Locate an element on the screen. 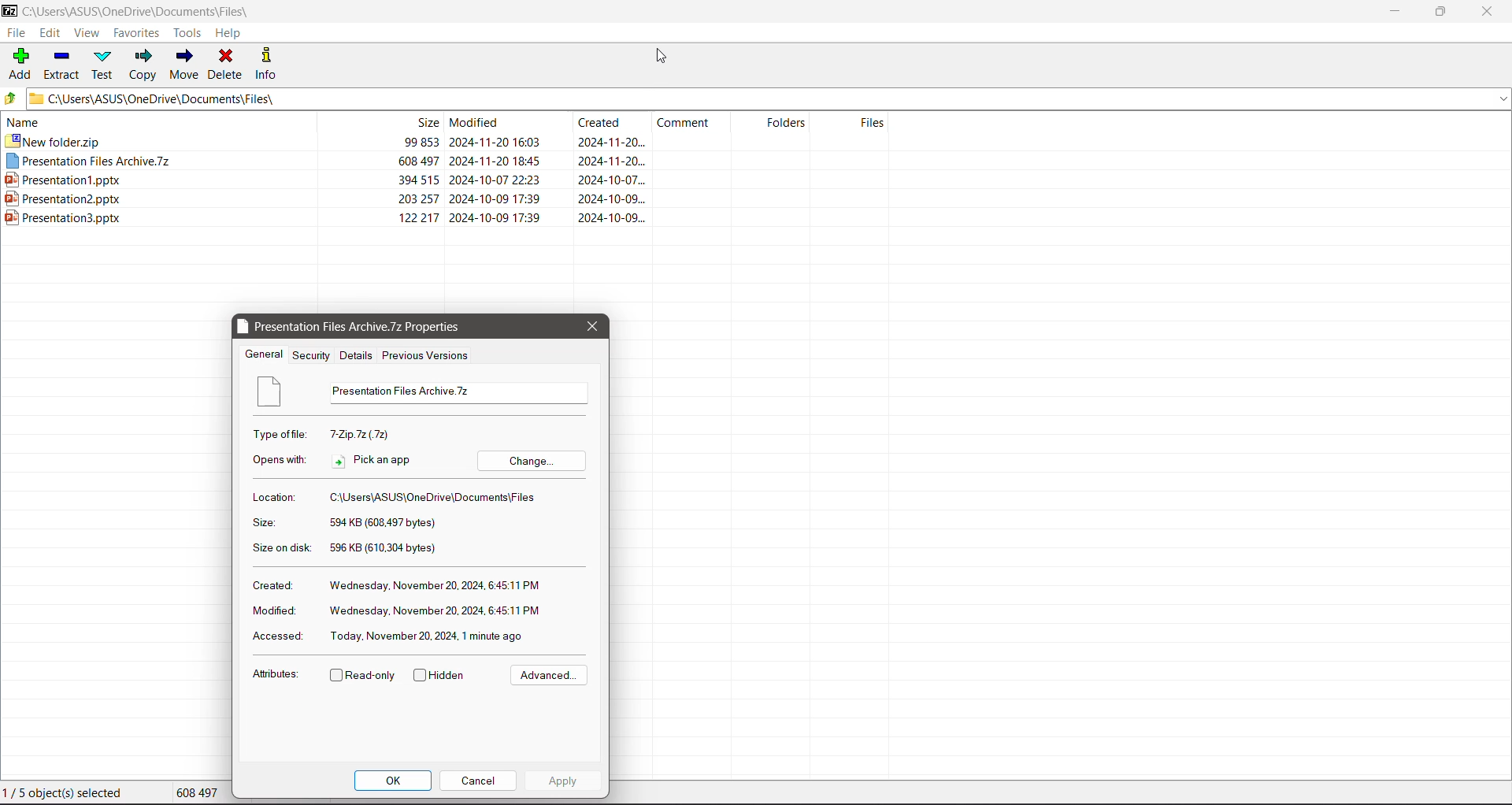  Copy is located at coordinates (143, 65).